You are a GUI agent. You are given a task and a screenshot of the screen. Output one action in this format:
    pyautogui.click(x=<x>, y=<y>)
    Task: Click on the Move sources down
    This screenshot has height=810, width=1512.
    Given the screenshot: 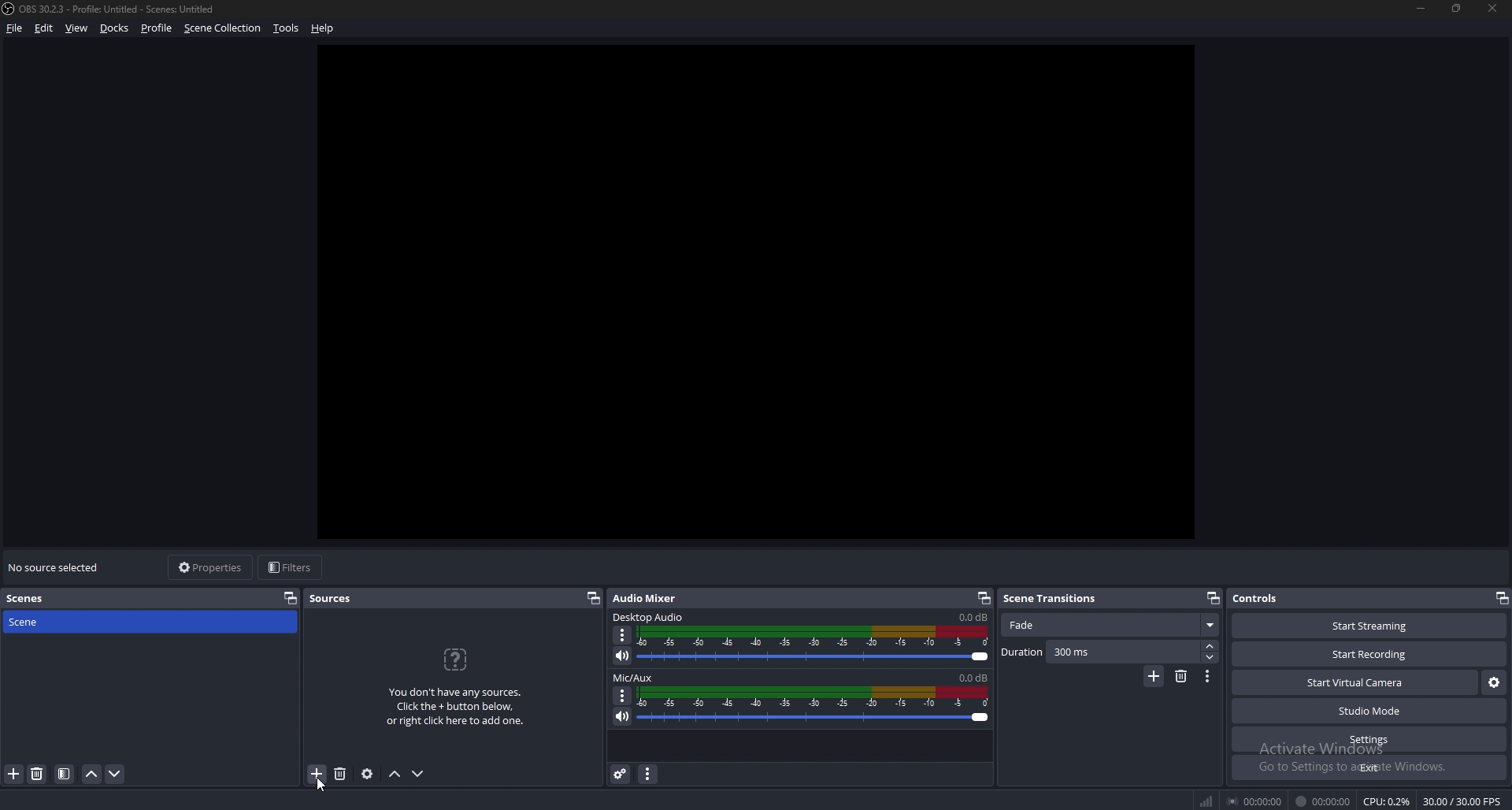 What is the action you would take?
    pyautogui.click(x=417, y=774)
    